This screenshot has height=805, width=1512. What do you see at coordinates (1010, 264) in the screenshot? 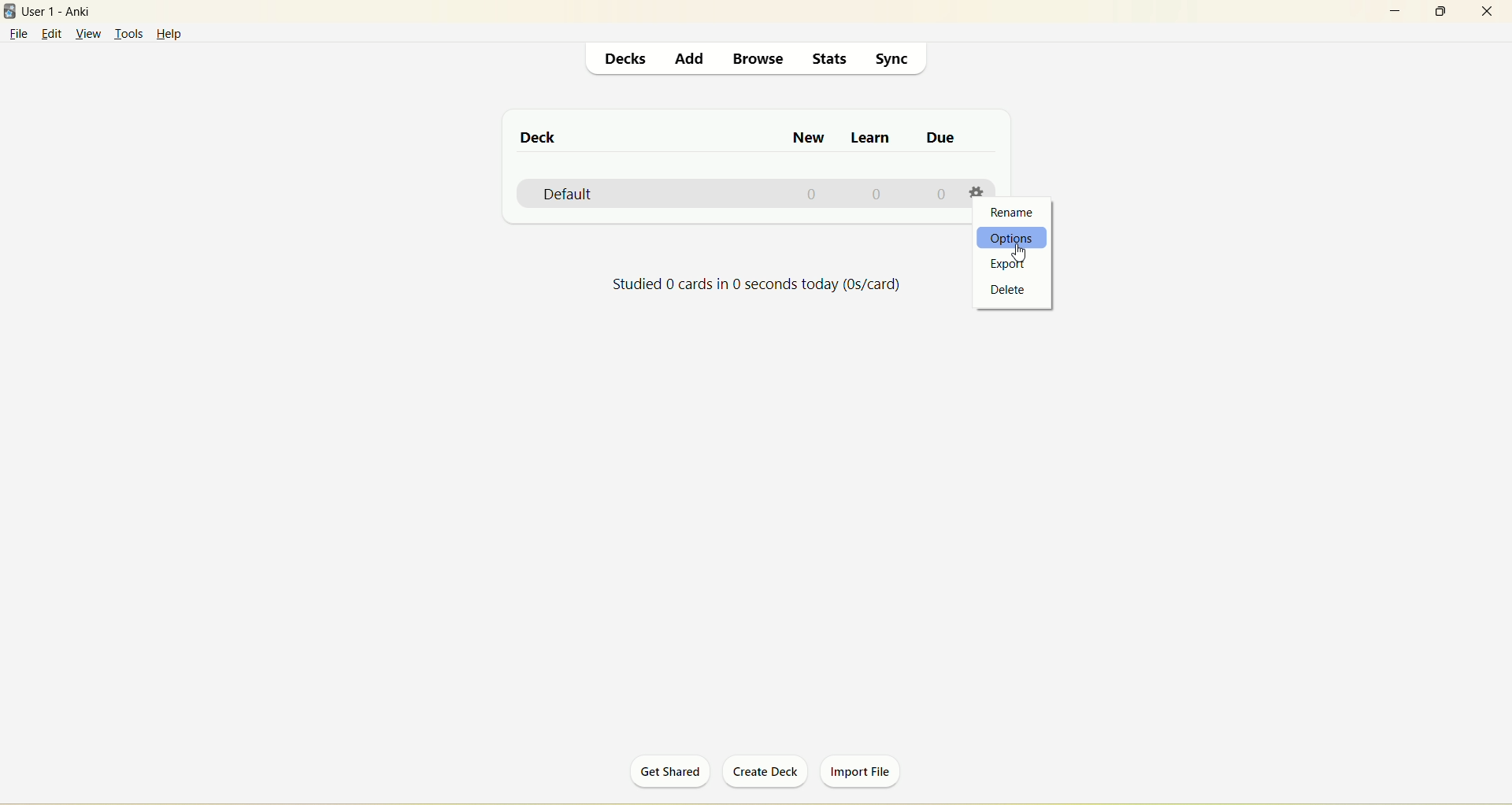
I see `export` at bounding box center [1010, 264].